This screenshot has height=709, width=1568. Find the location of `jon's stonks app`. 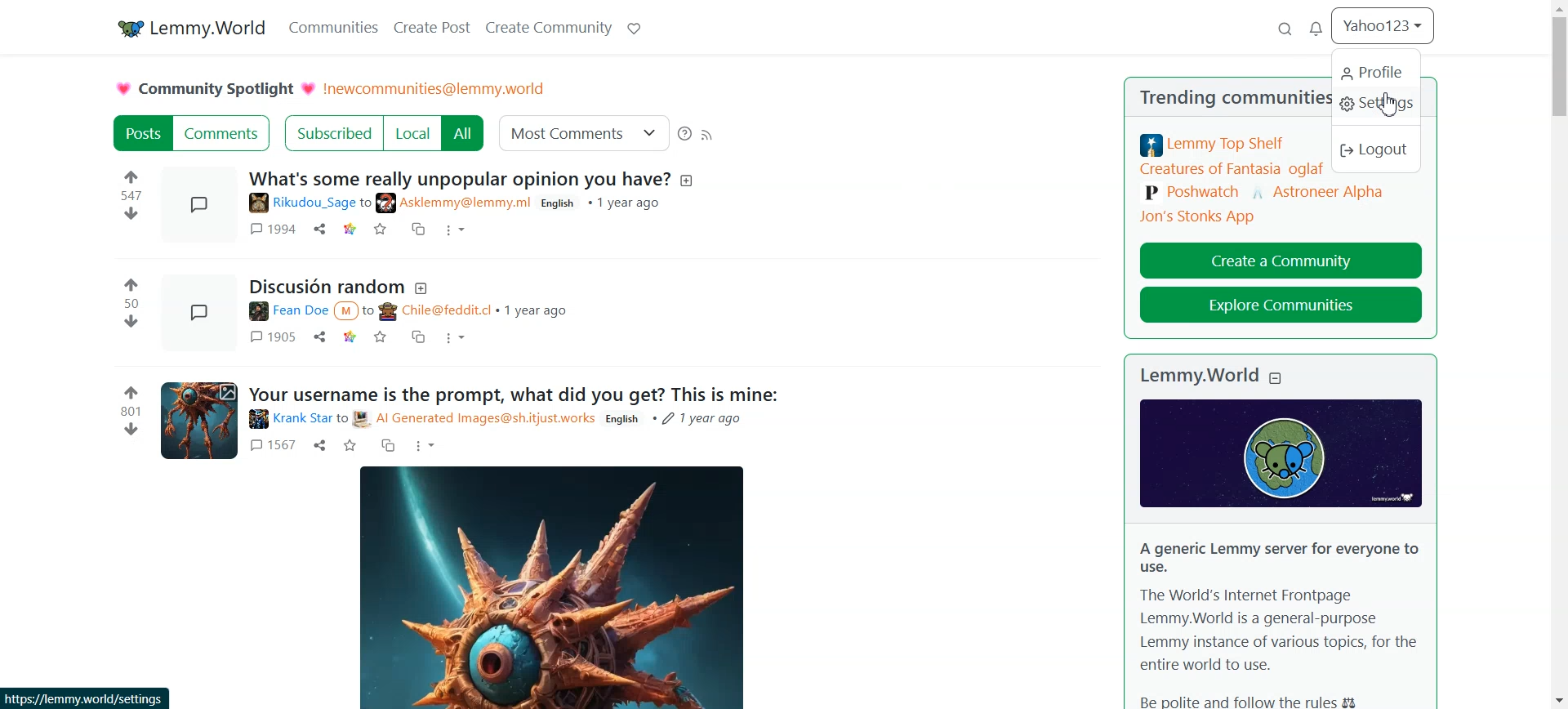

jon's stonks app is located at coordinates (1197, 216).